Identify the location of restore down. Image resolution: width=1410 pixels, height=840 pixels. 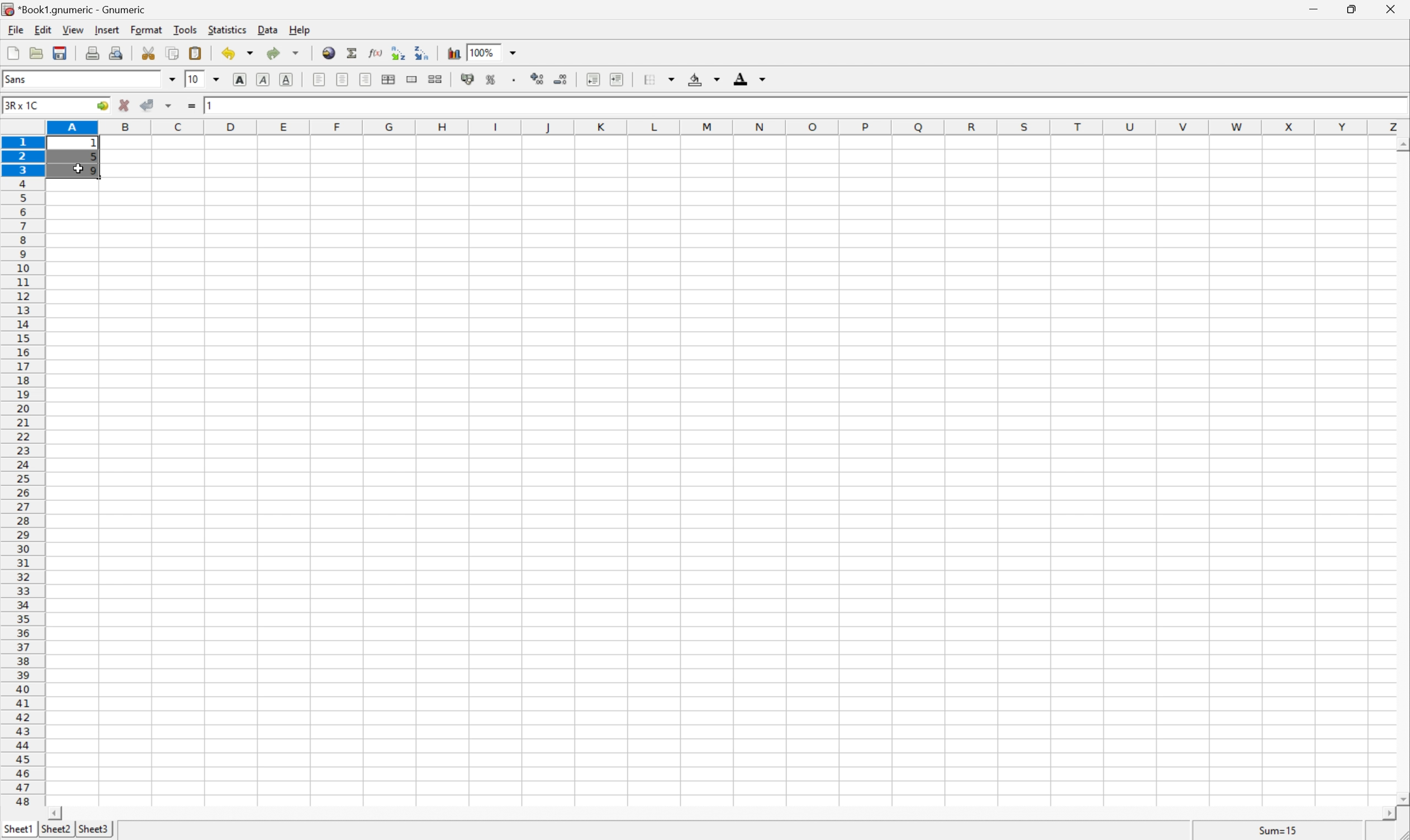
(1353, 9).